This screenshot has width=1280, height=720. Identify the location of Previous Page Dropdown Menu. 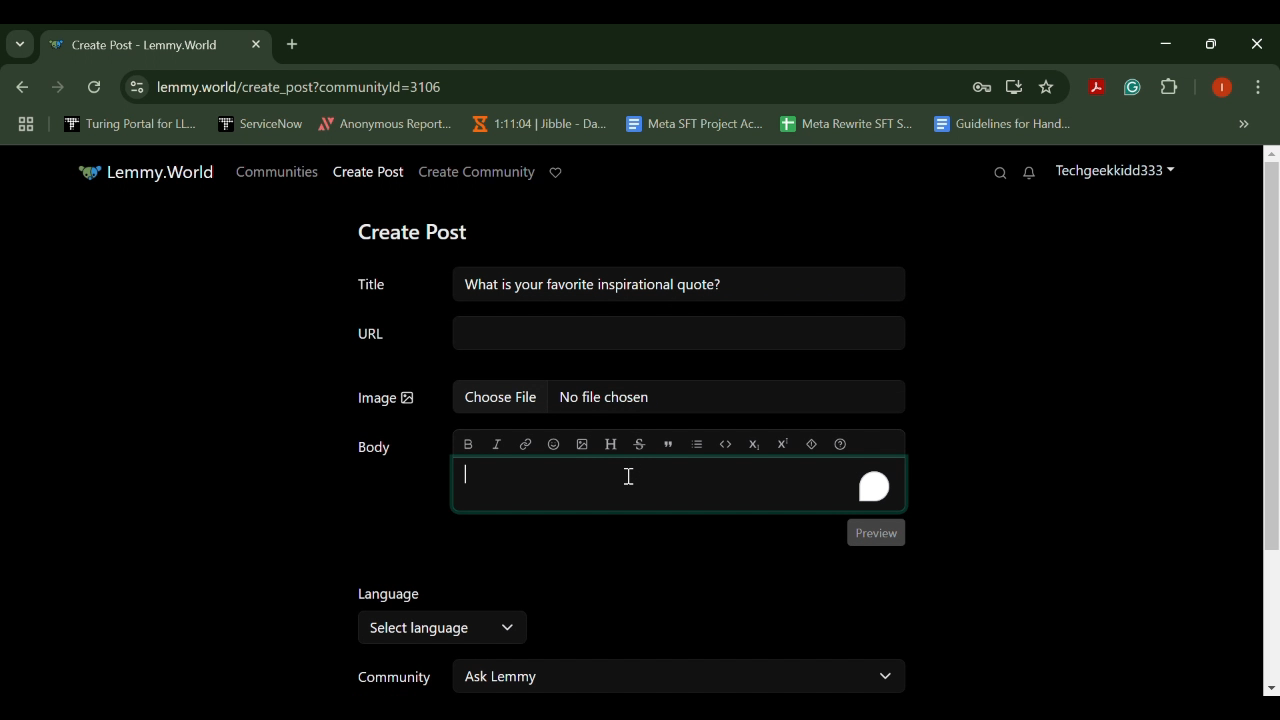
(20, 45).